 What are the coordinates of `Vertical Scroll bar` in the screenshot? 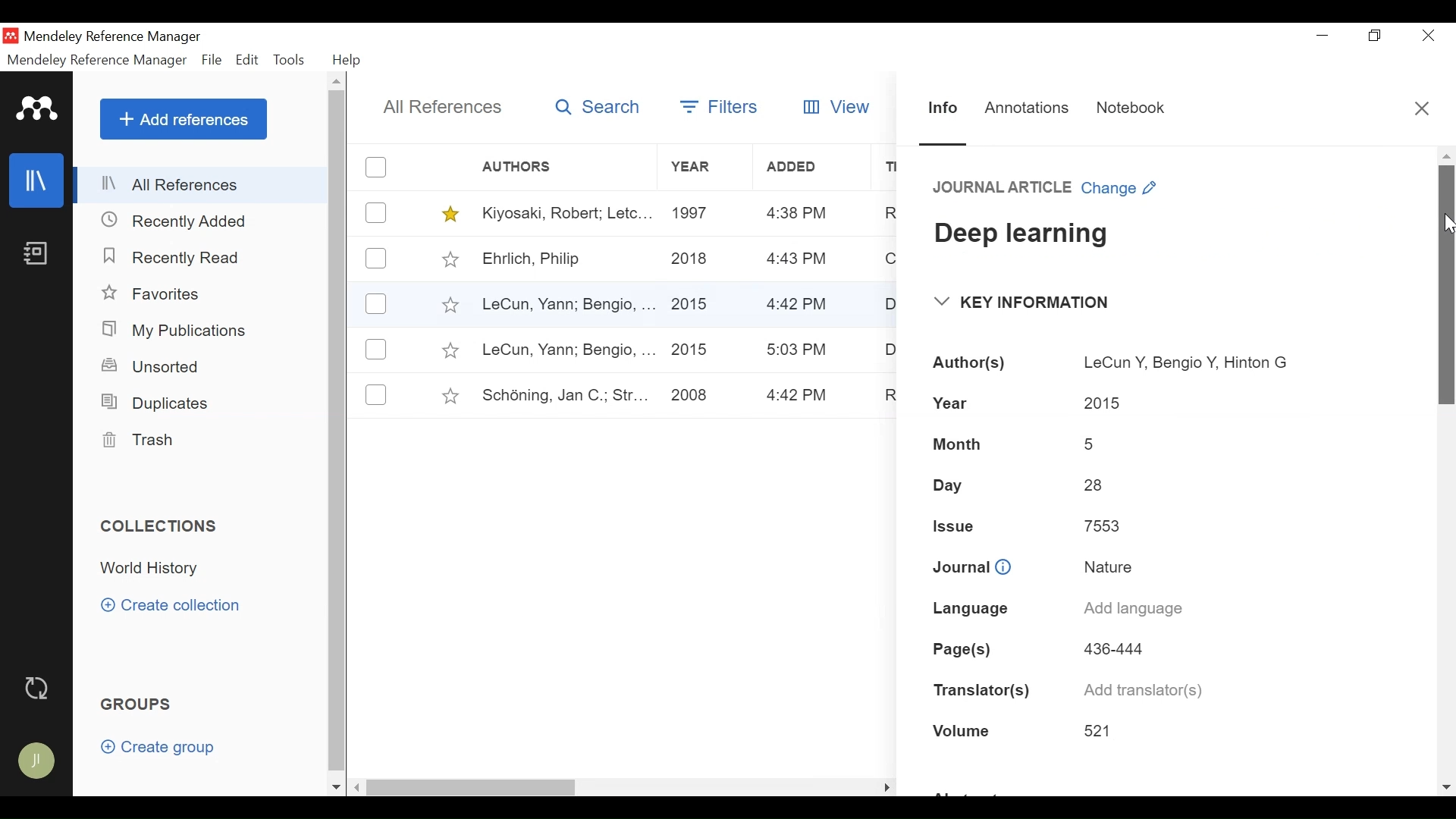 It's located at (340, 434).